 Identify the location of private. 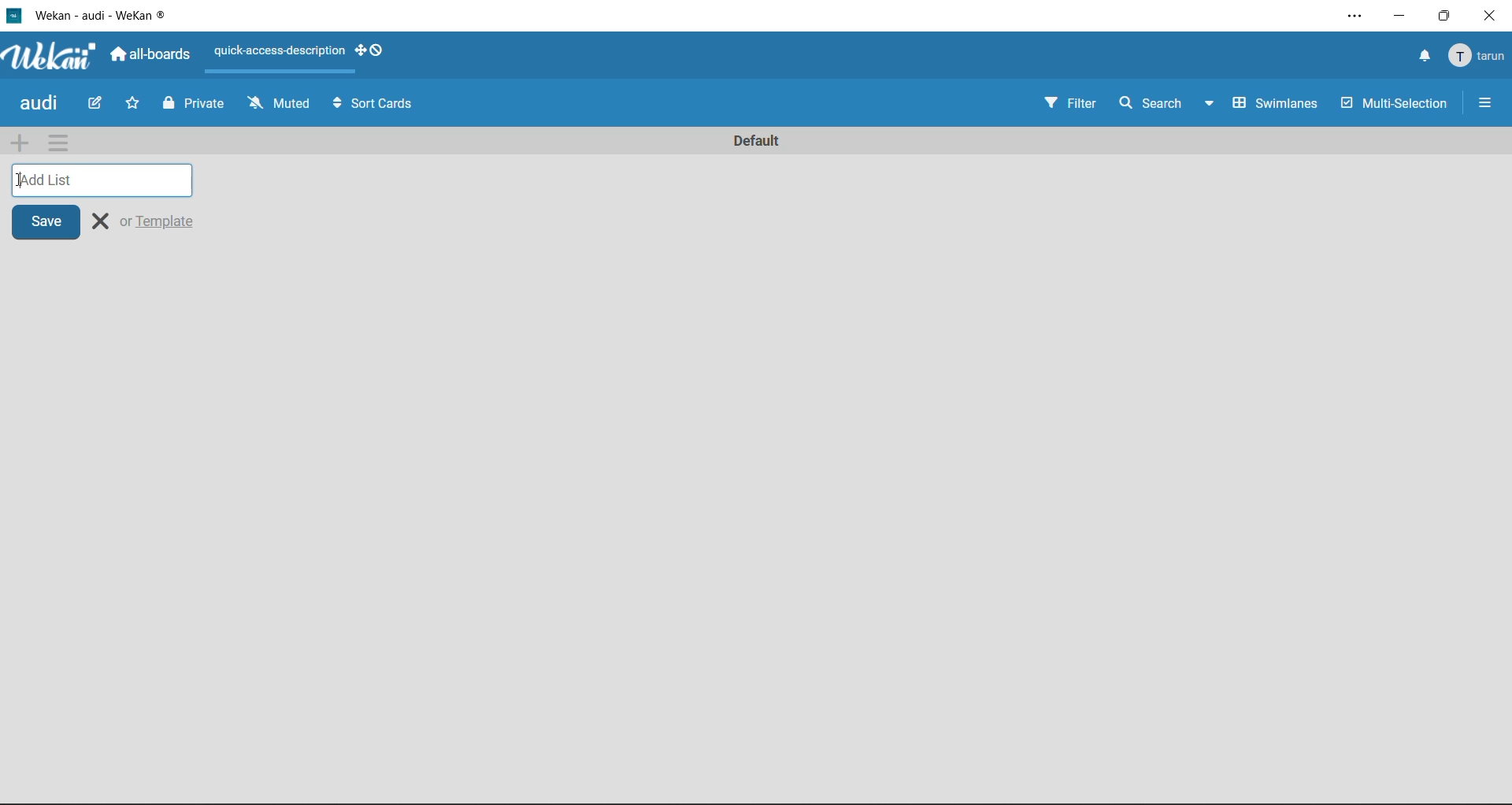
(193, 105).